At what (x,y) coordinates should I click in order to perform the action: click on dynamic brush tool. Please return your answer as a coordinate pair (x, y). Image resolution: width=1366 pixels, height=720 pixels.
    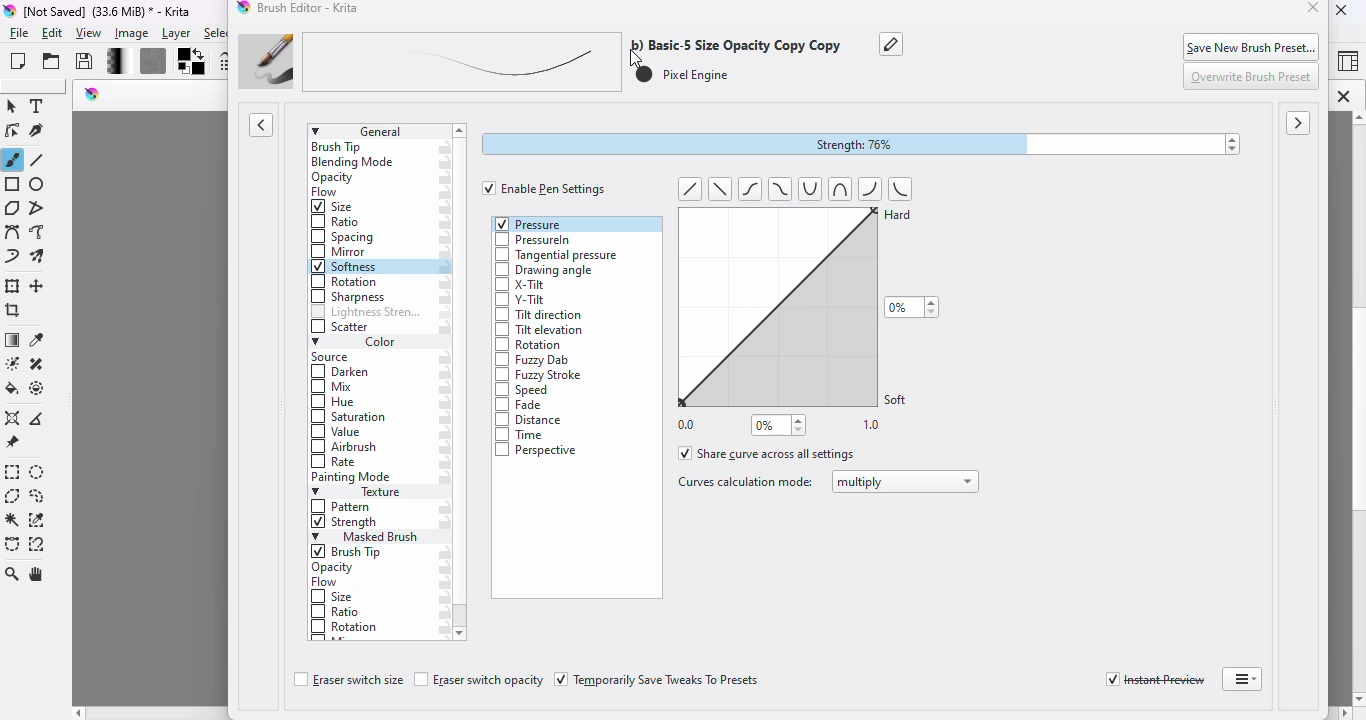
    Looking at the image, I should click on (12, 258).